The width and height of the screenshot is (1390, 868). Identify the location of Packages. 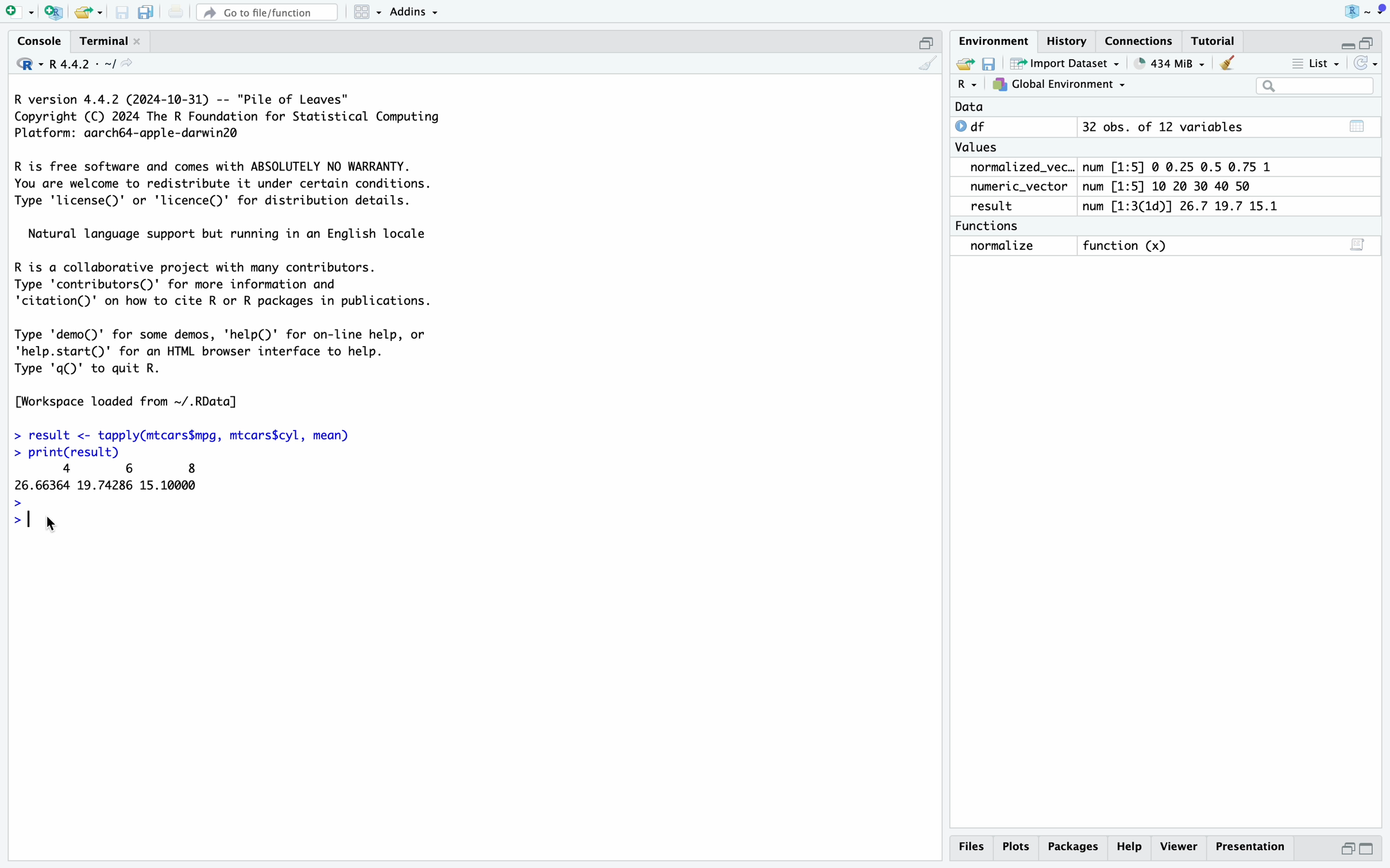
(1074, 847).